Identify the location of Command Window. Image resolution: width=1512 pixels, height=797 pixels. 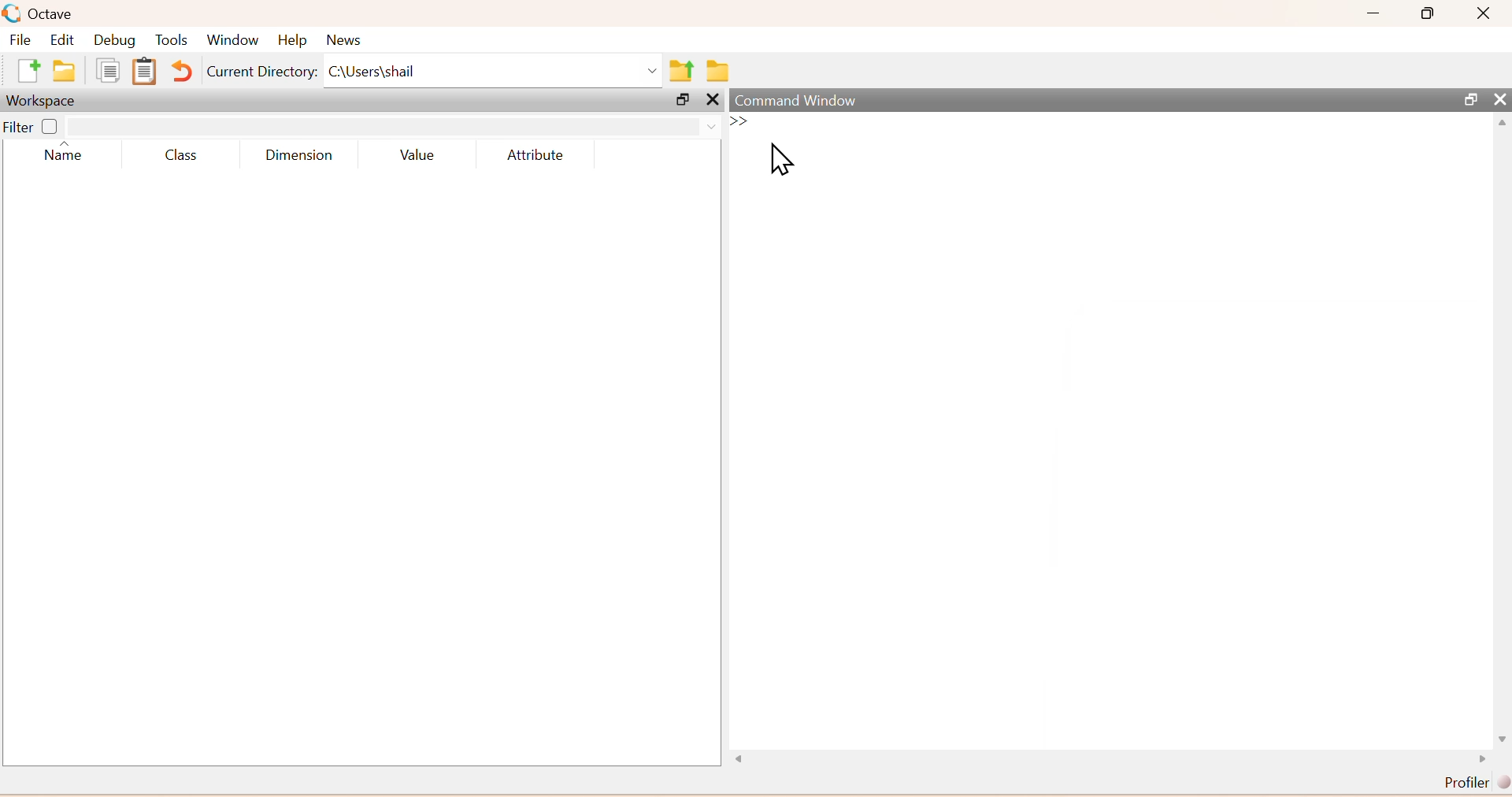
(797, 99).